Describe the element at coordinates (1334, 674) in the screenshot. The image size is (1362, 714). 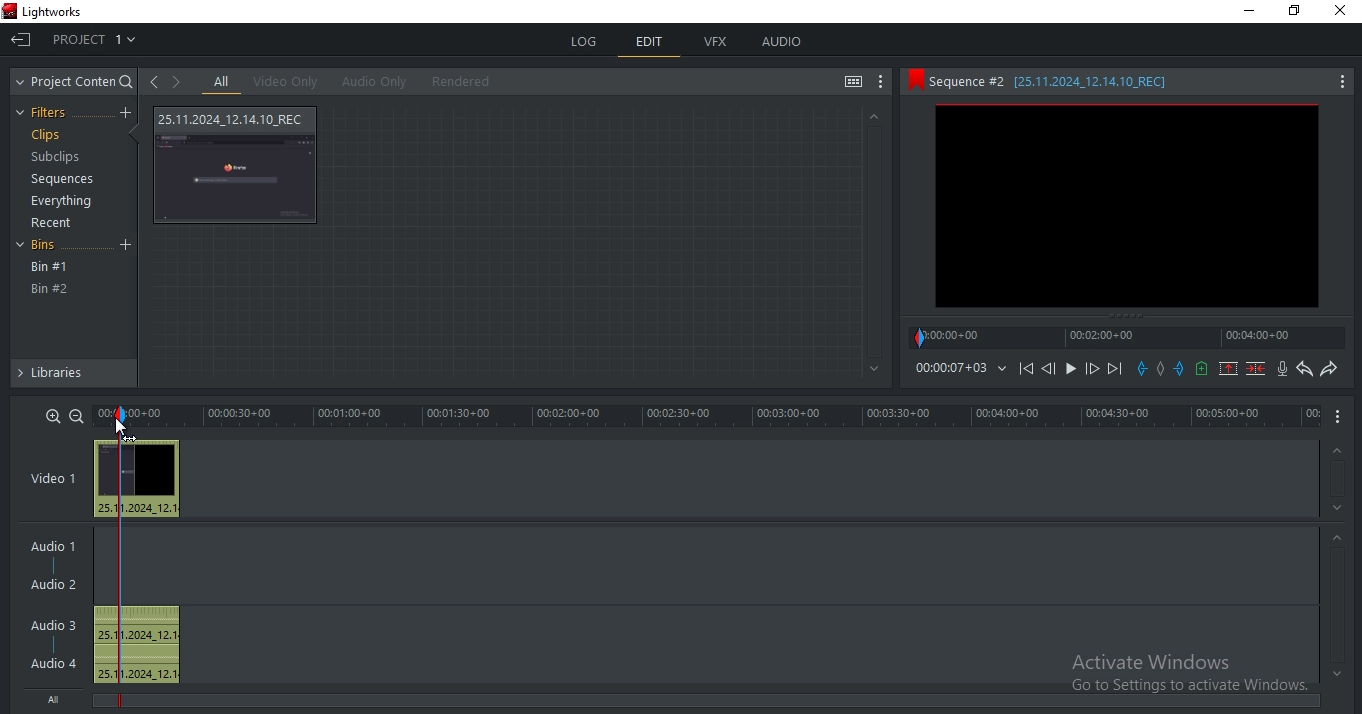
I see `Bottom` at that location.